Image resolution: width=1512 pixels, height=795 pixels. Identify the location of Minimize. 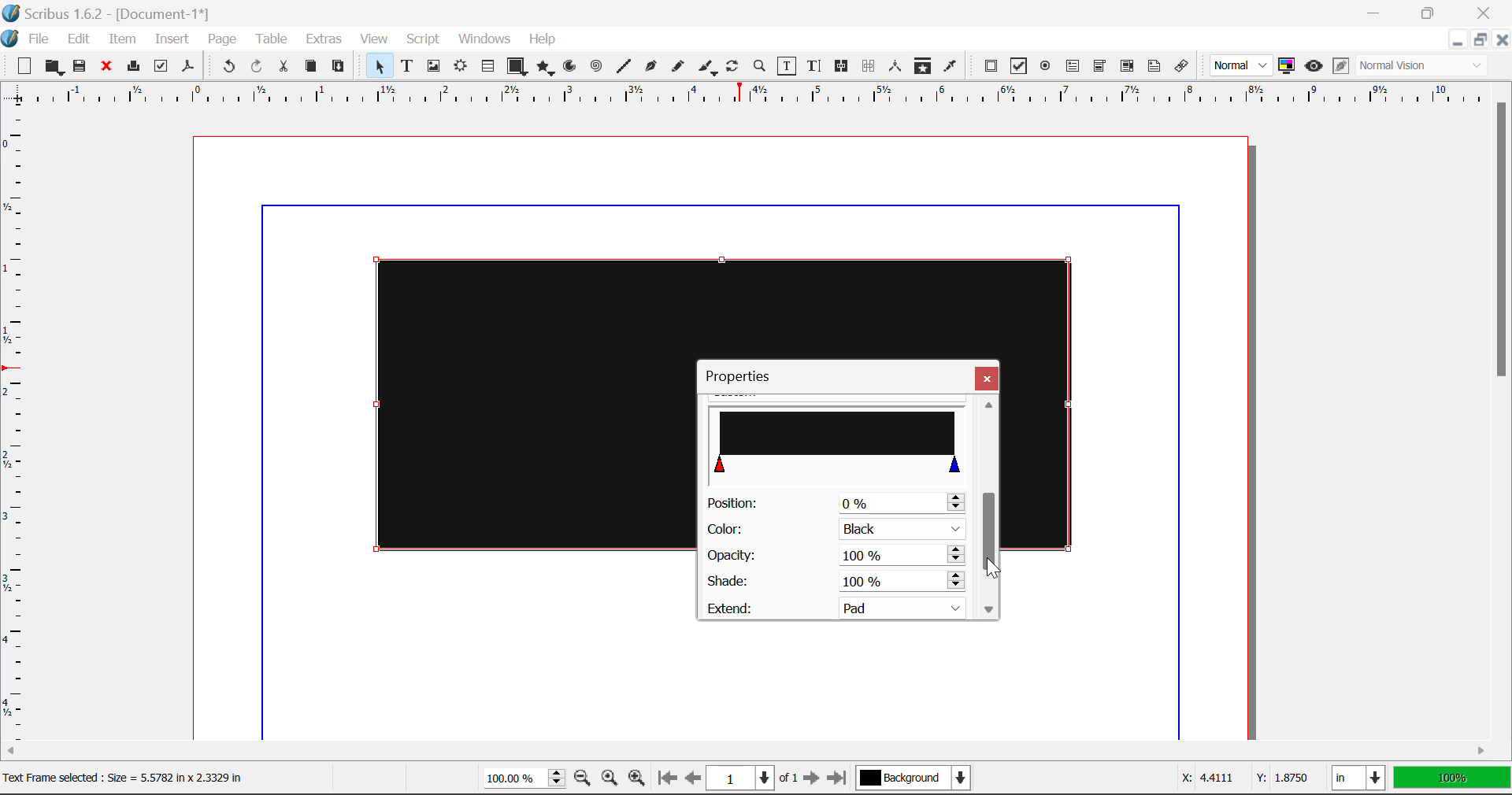
(1429, 11).